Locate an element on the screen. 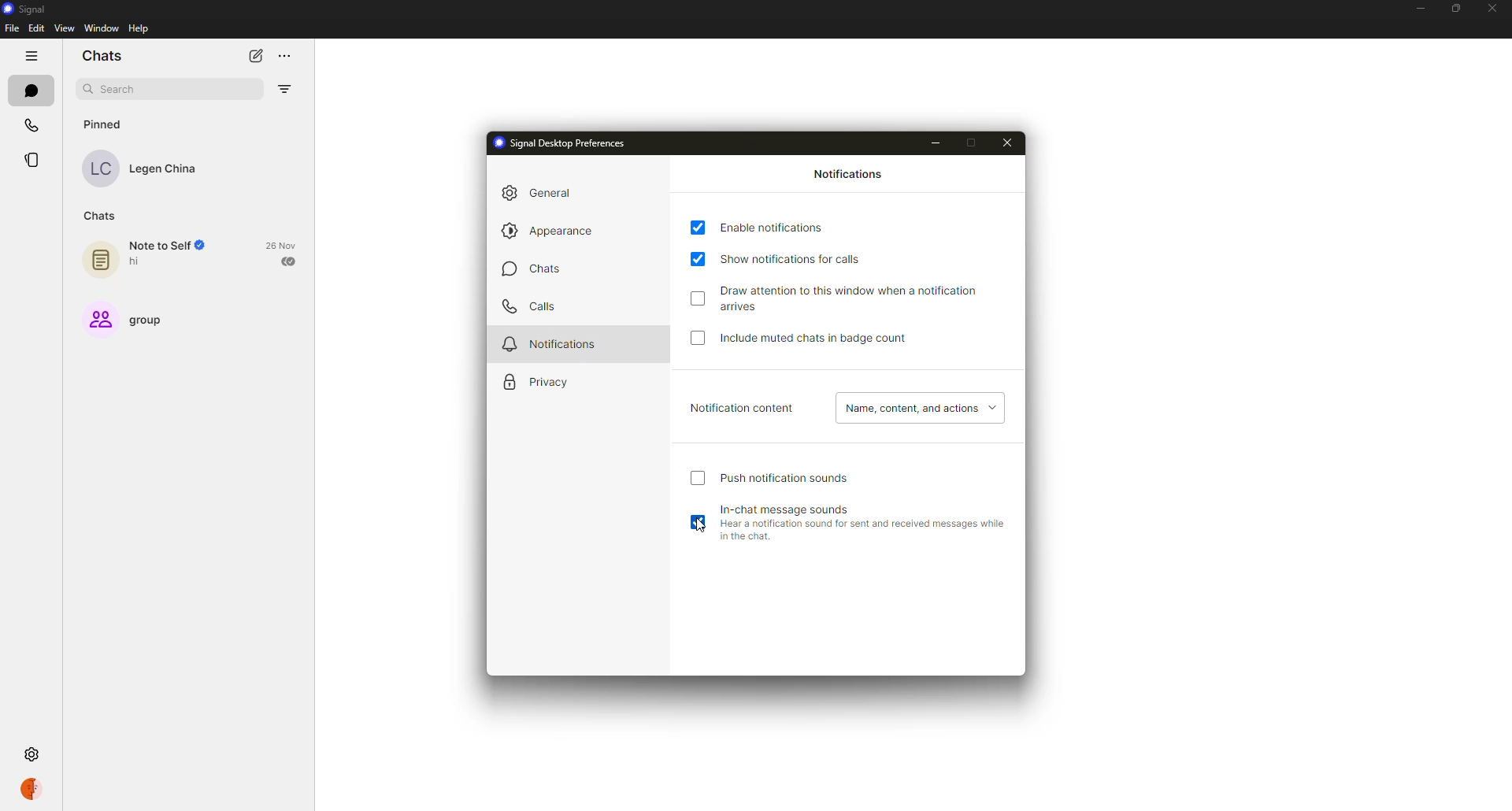  profile is located at coordinates (31, 791).